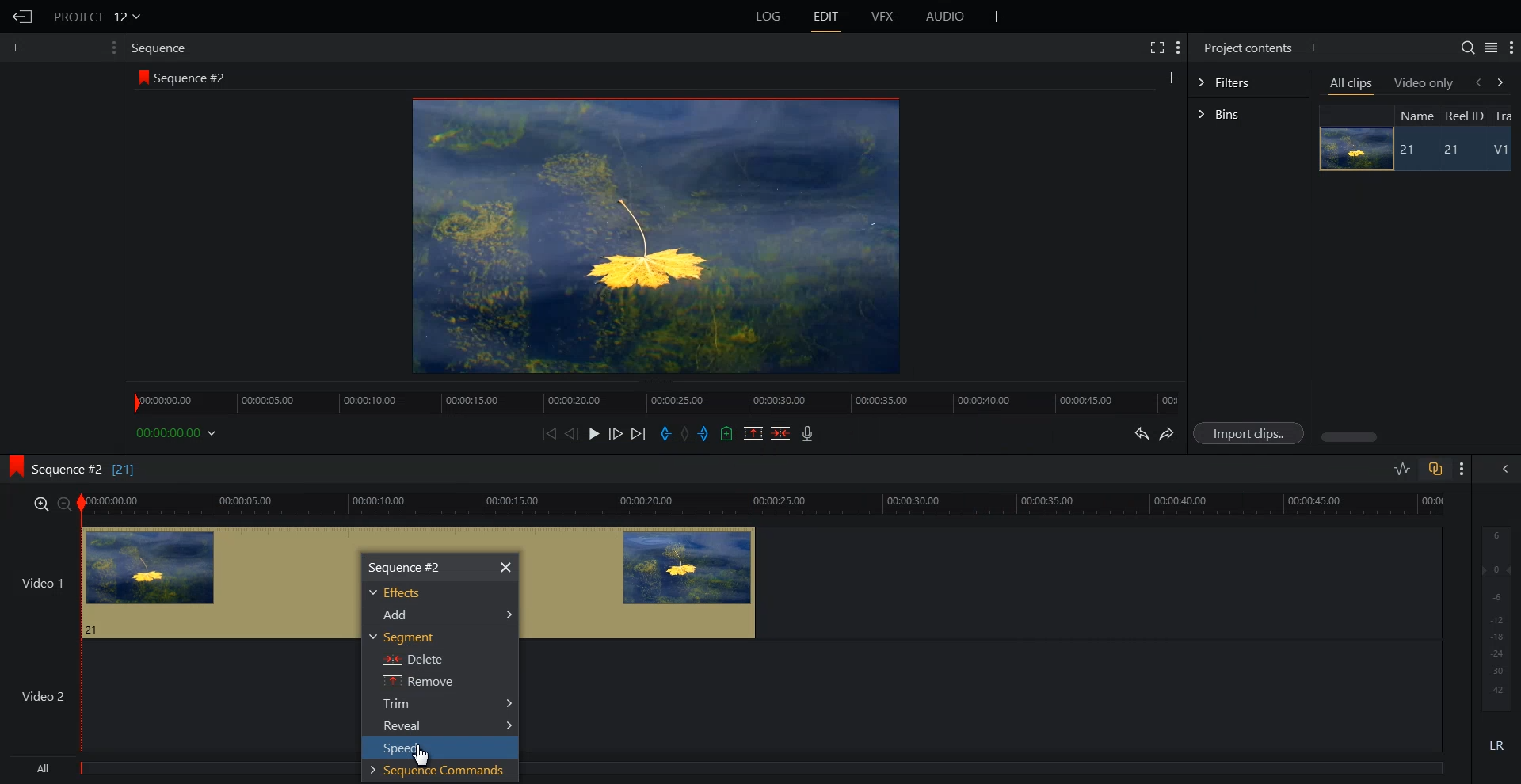 The height and width of the screenshot is (784, 1521). What do you see at coordinates (827, 17) in the screenshot?
I see `EDIT` at bounding box center [827, 17].